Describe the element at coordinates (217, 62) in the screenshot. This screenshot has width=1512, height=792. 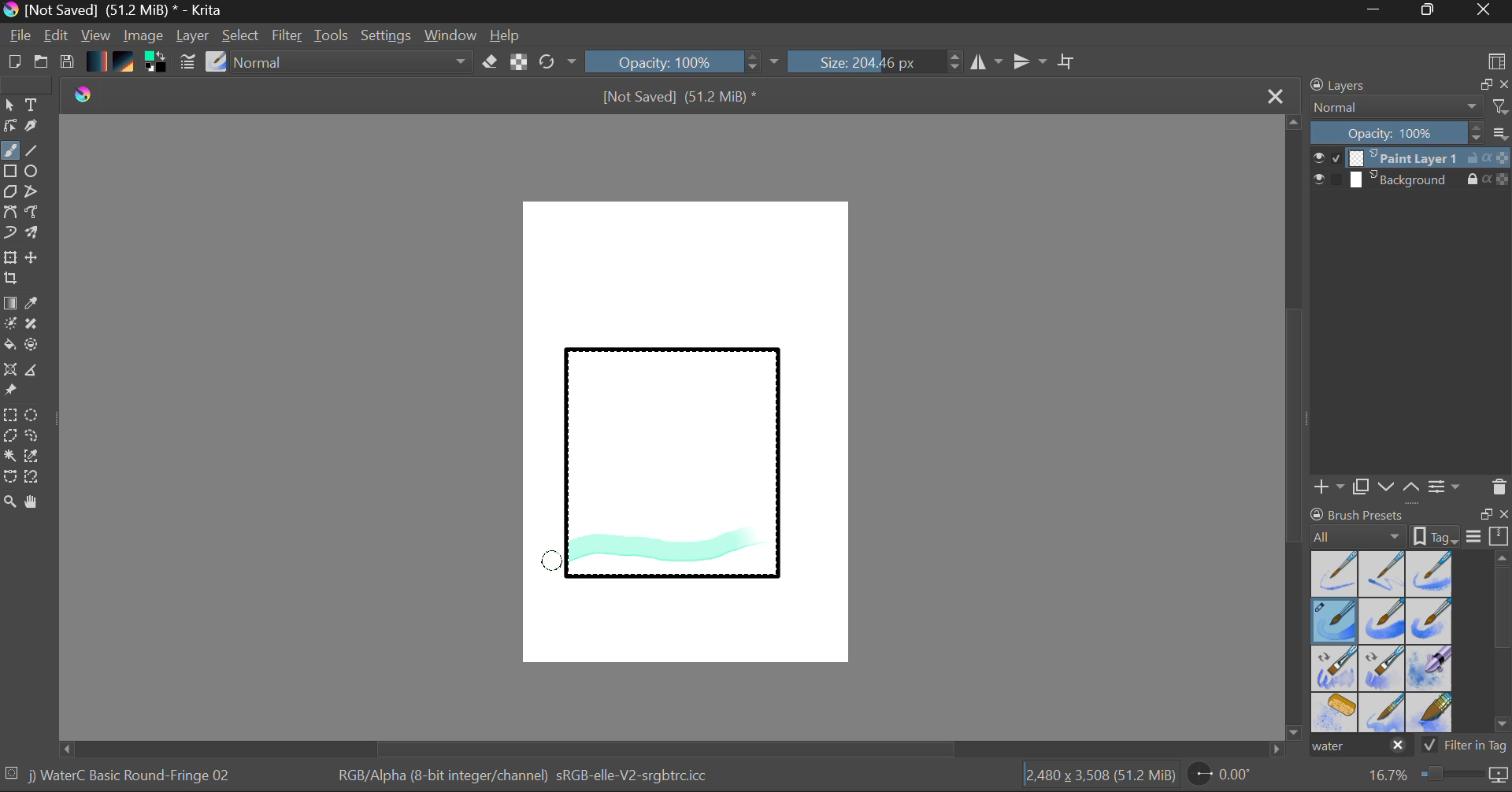
I see `Select Brush Preset` at that location.